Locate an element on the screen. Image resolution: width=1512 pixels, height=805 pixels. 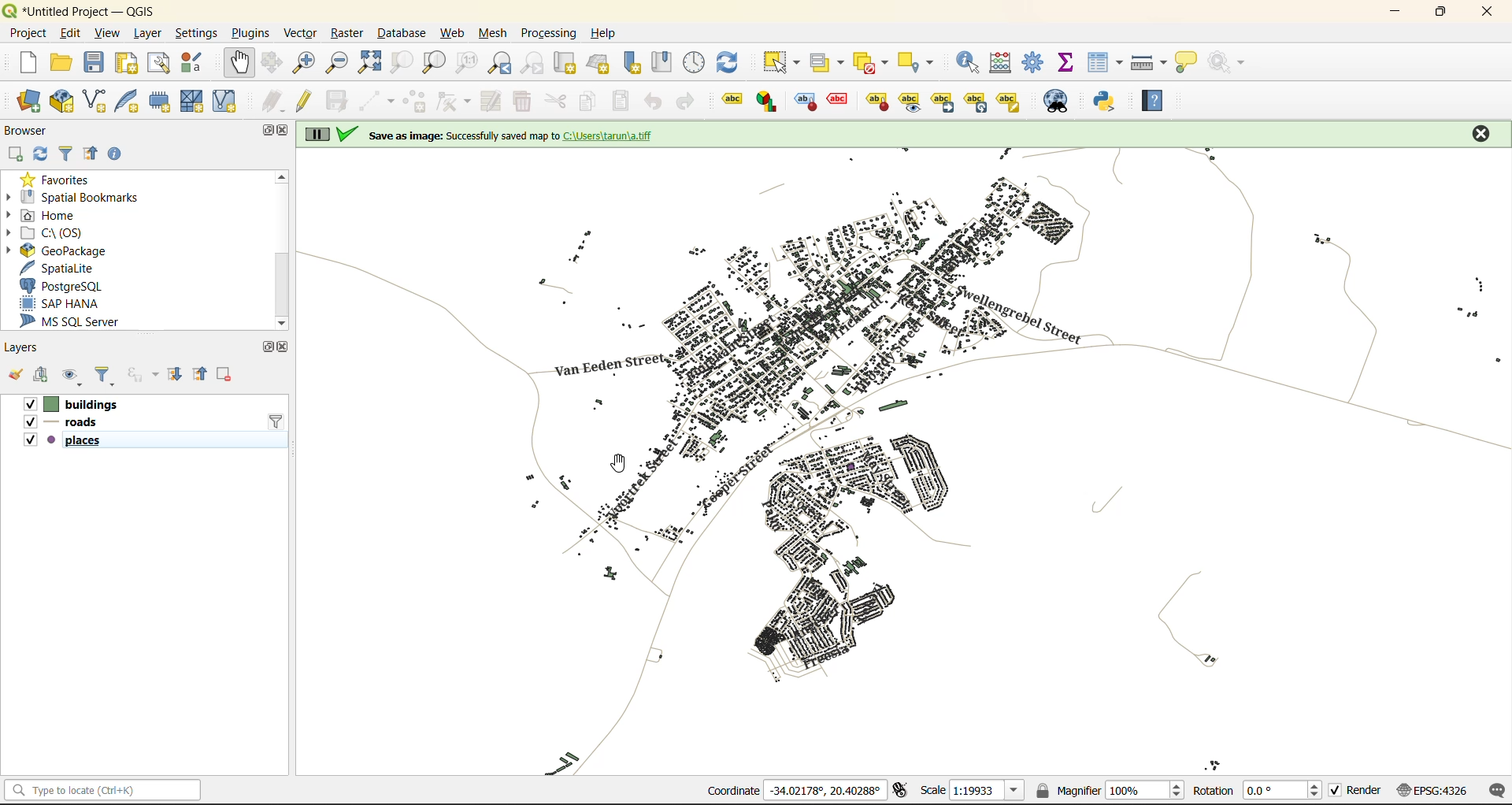
new shapefile is located at coordinates (94, 102).